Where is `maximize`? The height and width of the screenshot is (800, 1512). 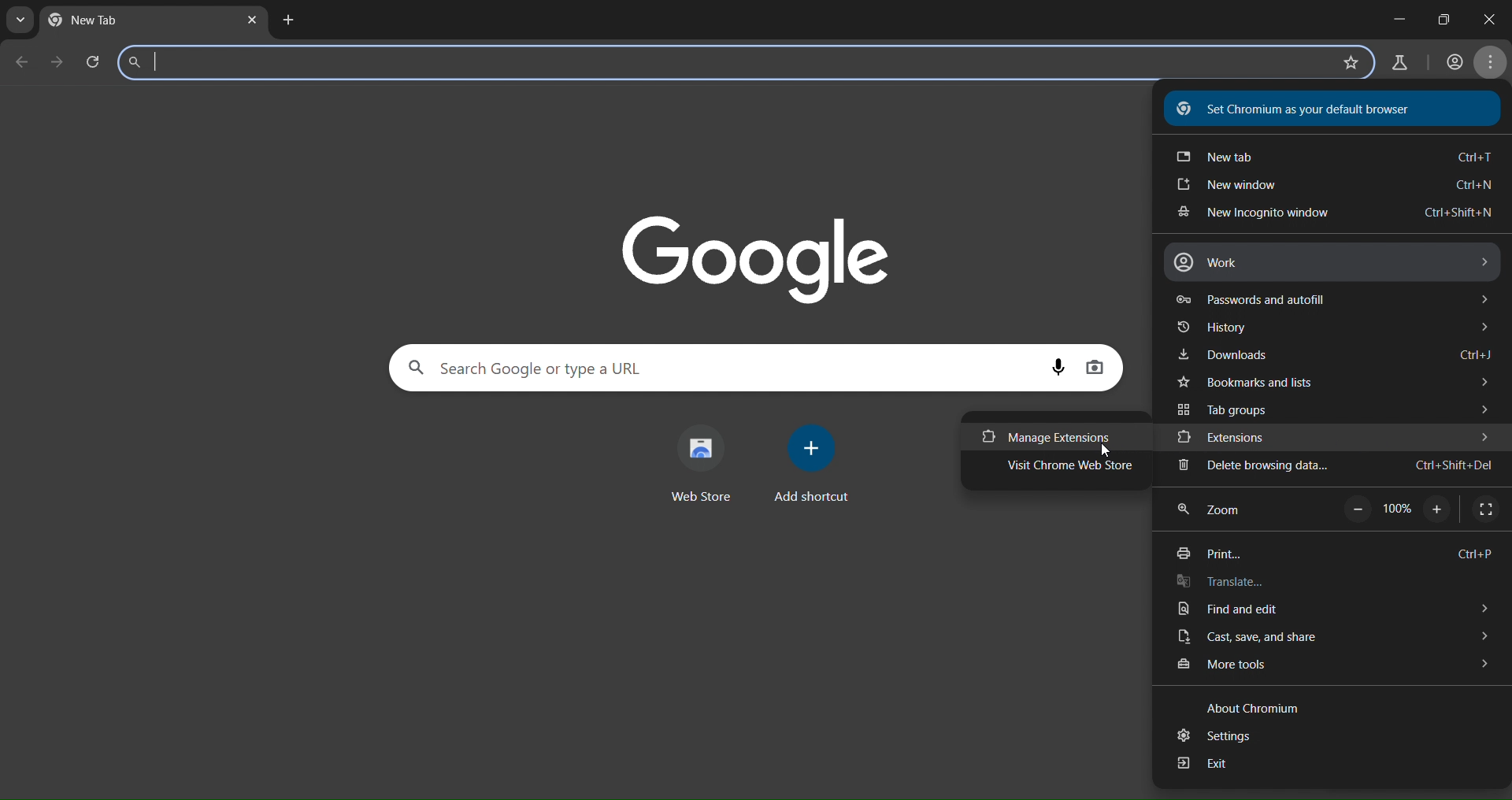
maximize is located at coordinates (1443, 18).